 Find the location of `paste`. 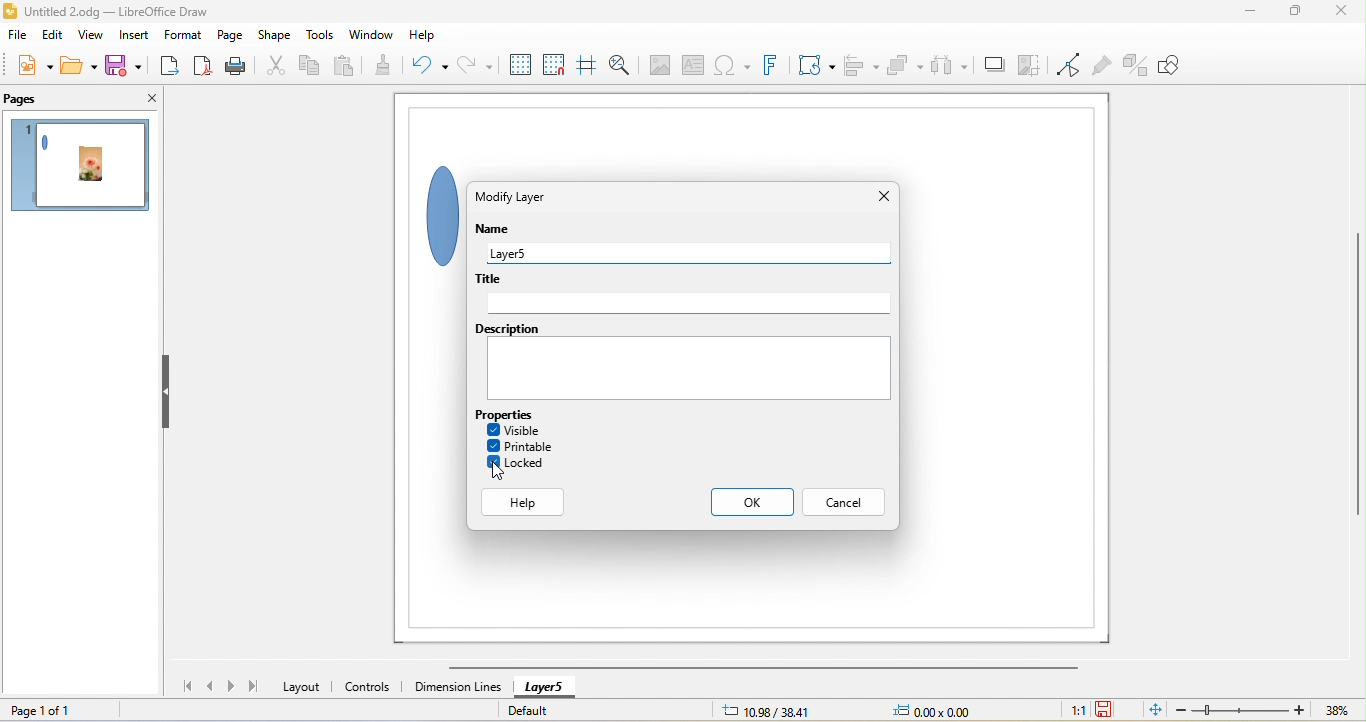

paste is located at coordinates (348, 63).